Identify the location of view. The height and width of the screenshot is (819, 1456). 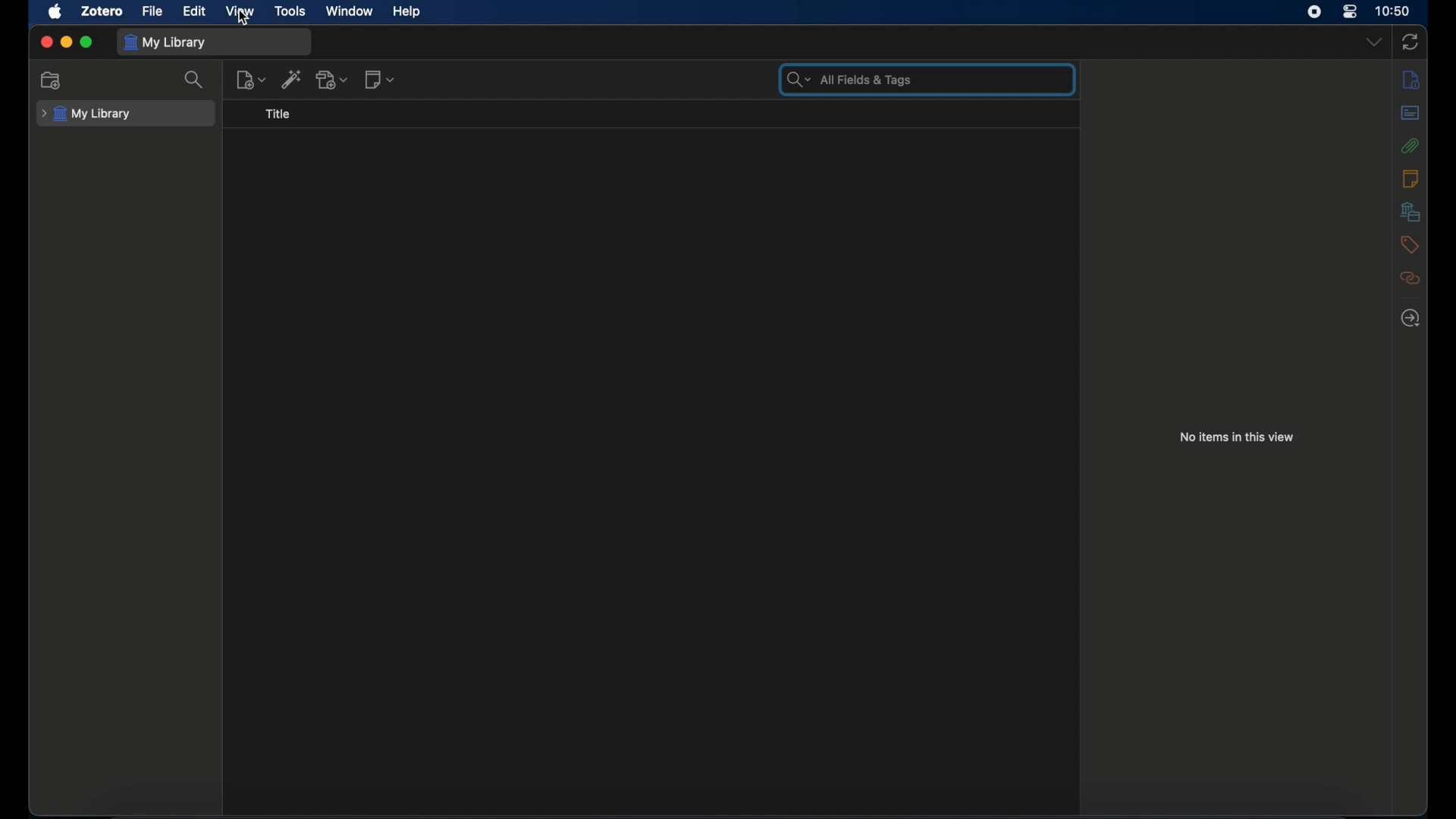
(241, 12).